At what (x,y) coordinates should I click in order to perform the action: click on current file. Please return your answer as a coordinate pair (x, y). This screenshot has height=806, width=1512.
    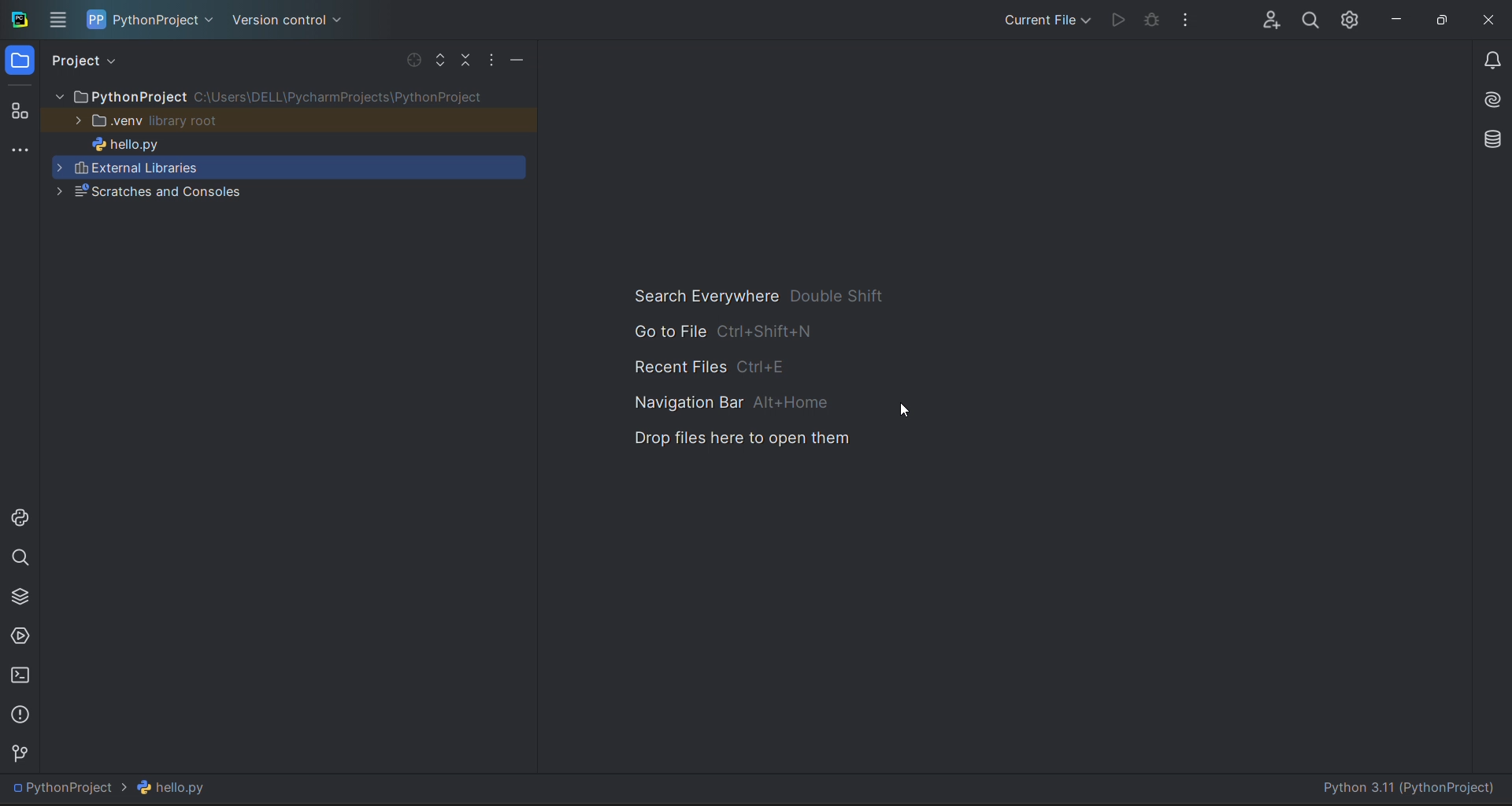
    Looking at the image, I should click on (1044, 20).